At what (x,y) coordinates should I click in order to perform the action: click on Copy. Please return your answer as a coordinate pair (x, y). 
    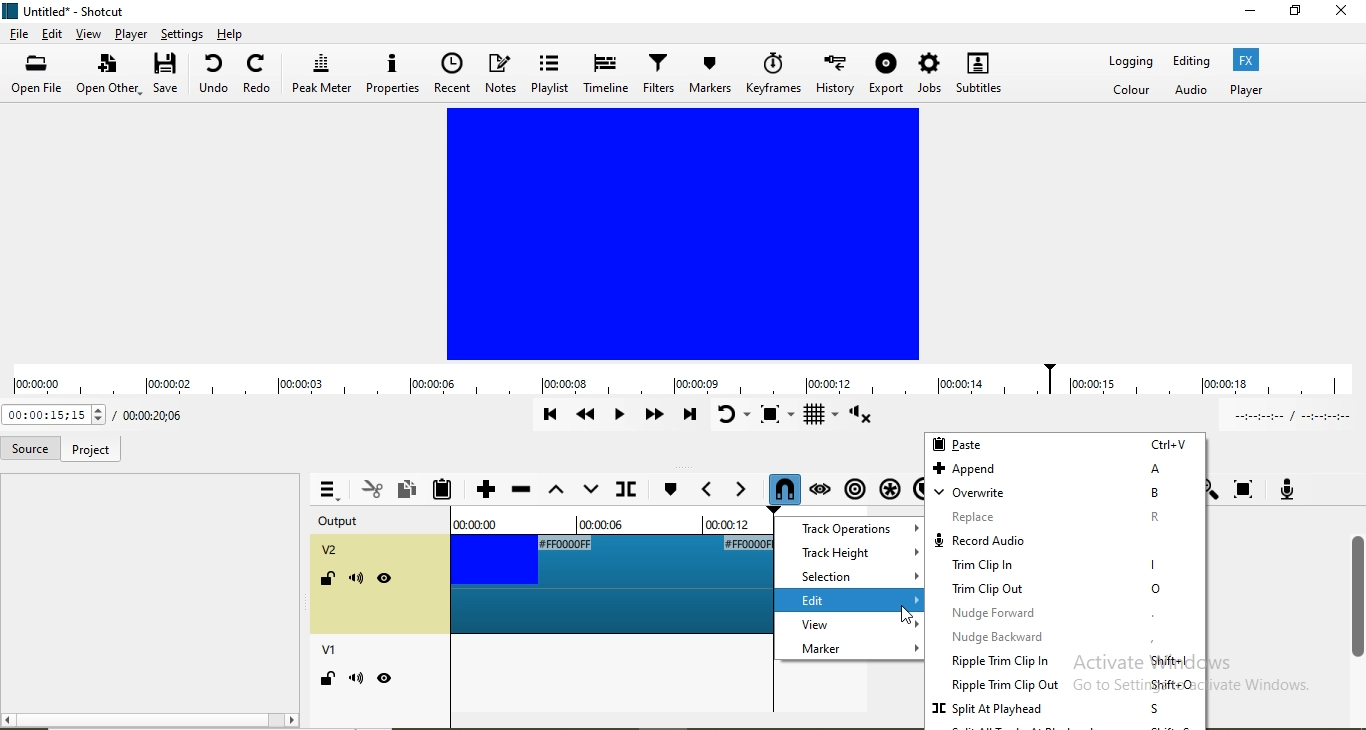
    Looking at the image, I should click on (408, 488).